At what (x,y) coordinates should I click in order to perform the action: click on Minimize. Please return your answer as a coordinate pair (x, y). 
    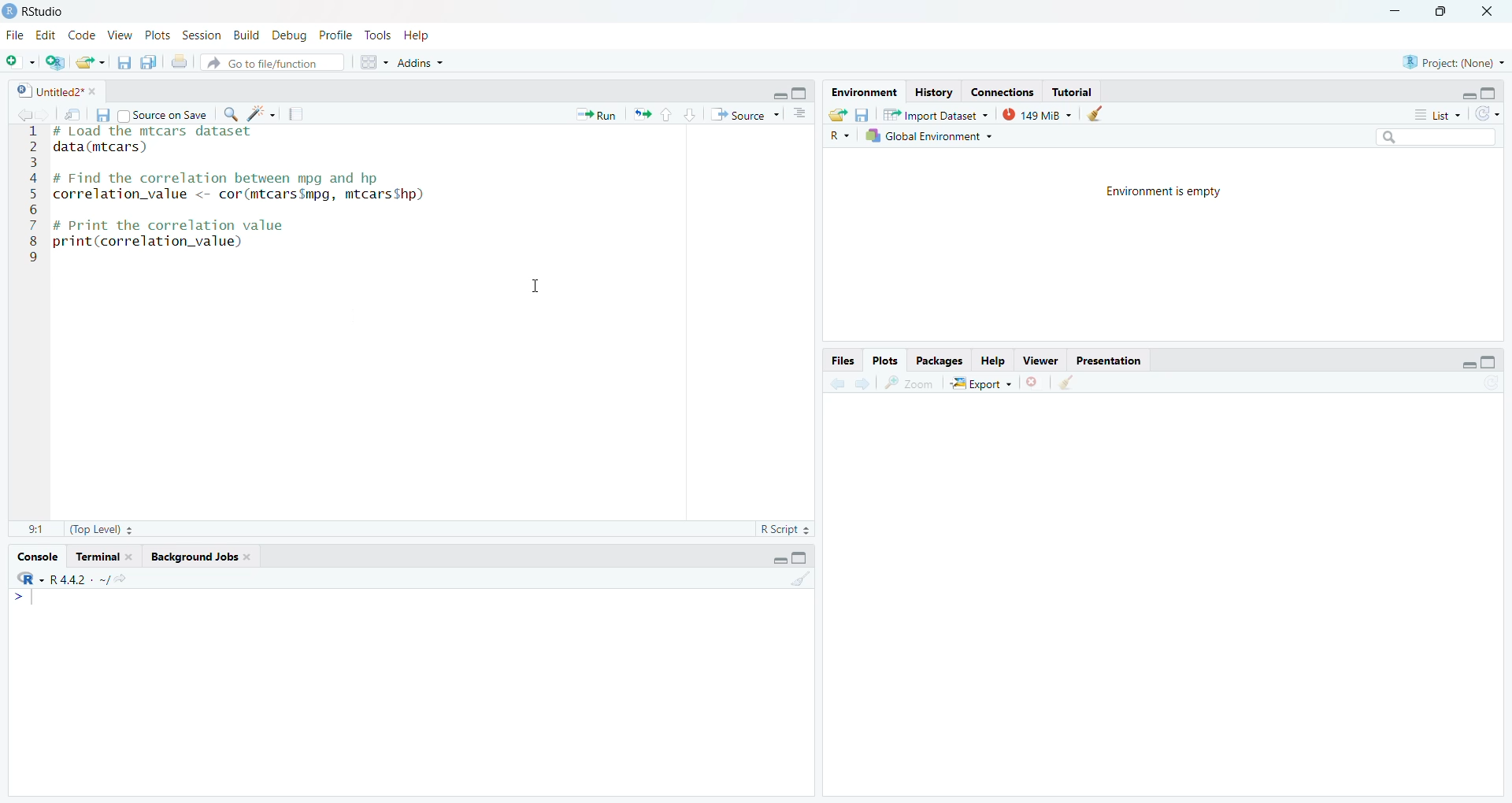
    Looking at the image, I should click on (776, 559).